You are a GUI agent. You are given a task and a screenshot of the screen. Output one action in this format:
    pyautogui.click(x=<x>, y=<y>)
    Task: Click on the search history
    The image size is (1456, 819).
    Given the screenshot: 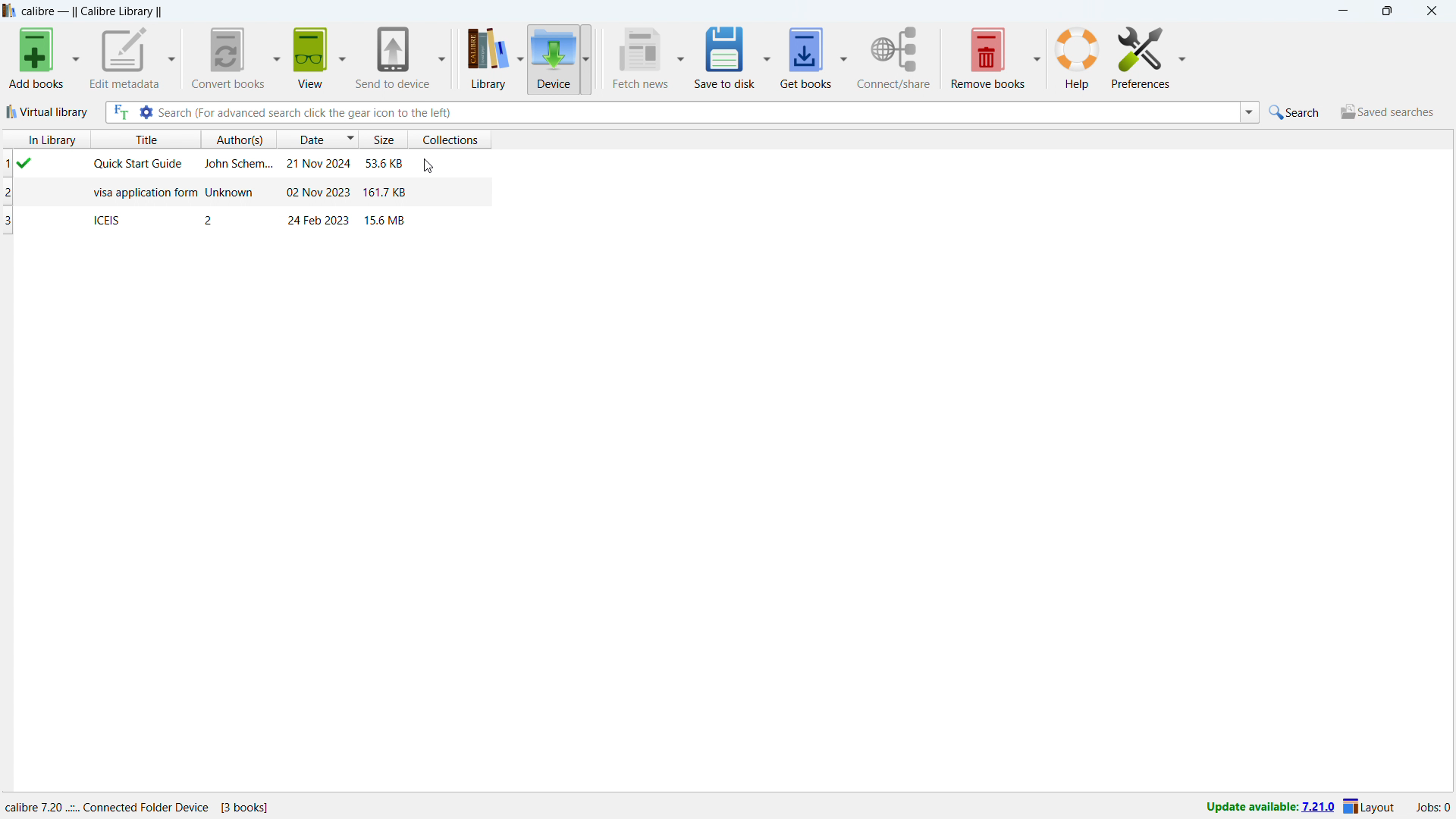 What is the action you would take?
    pyautogui.click(x=1249, y=112)
    